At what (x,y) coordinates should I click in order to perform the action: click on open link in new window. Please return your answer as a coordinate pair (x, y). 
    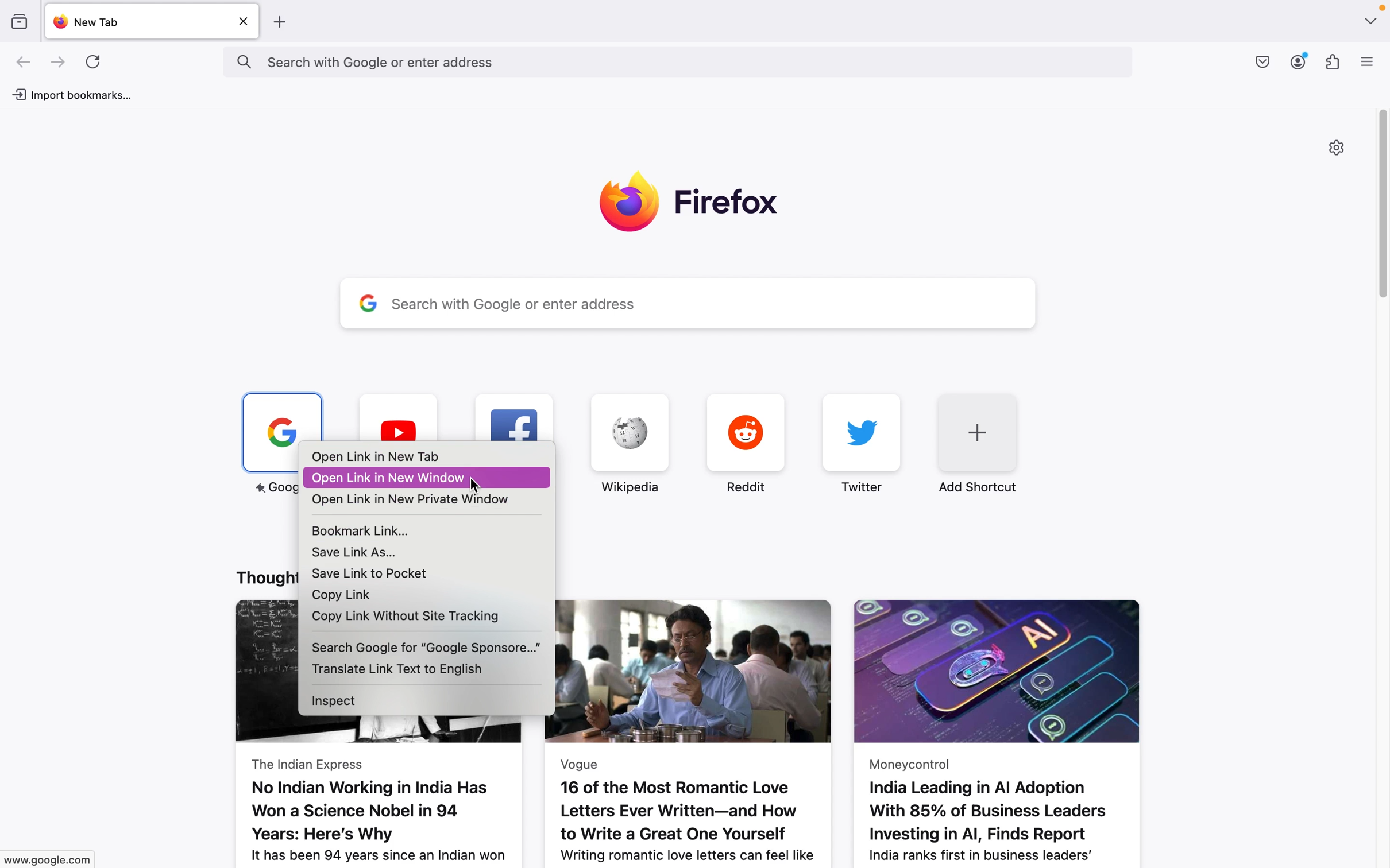
    Looking at the image, I should click on (385, 478).